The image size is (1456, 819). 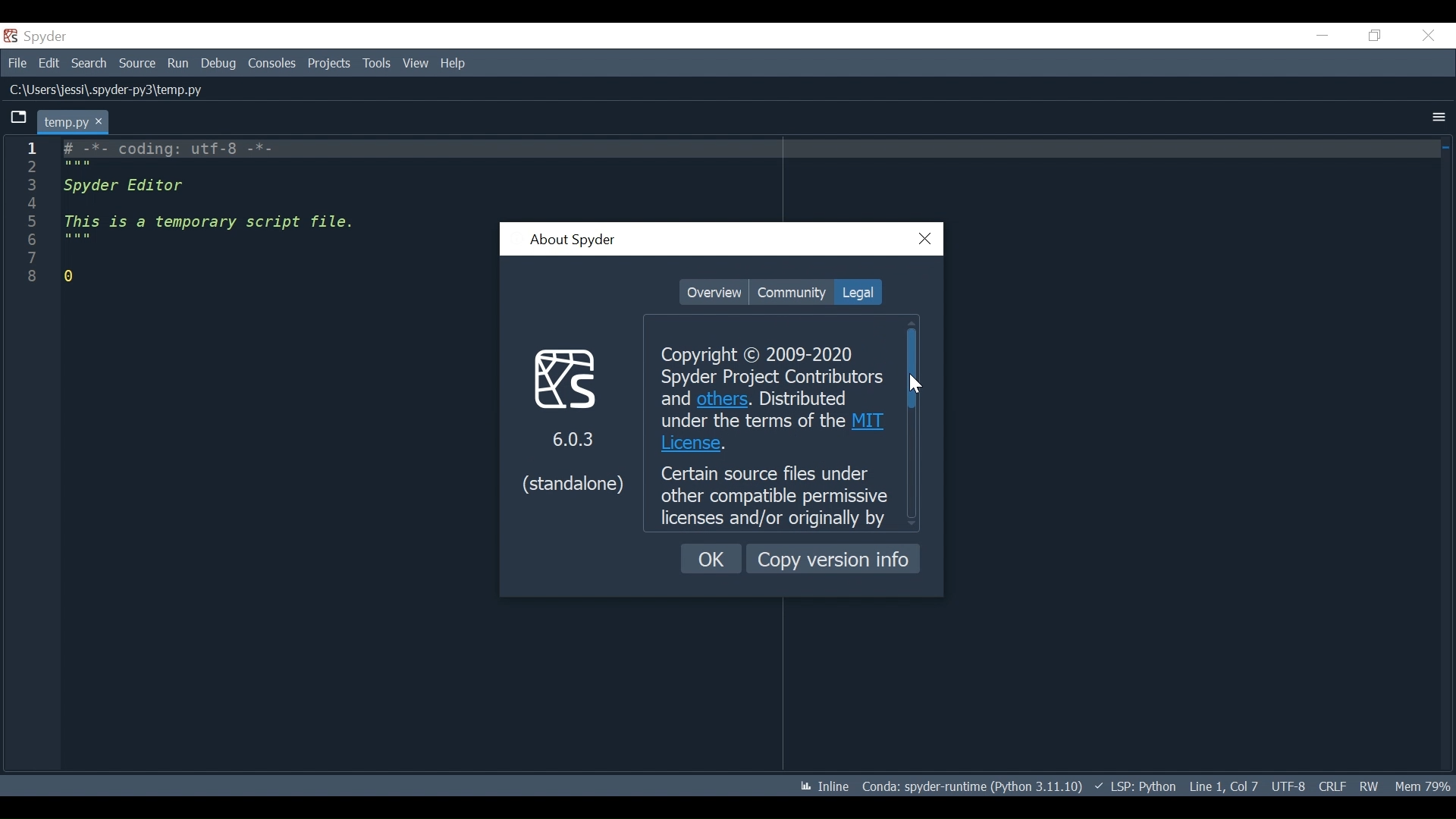 What do you see at coordinates (763, 400) in the screenshot?
I see `Copyright © 2009-2020
Spyder Project Contributors
and others. Distributed
under the terms of the MIT
License.` at bounding box center [763, 400].